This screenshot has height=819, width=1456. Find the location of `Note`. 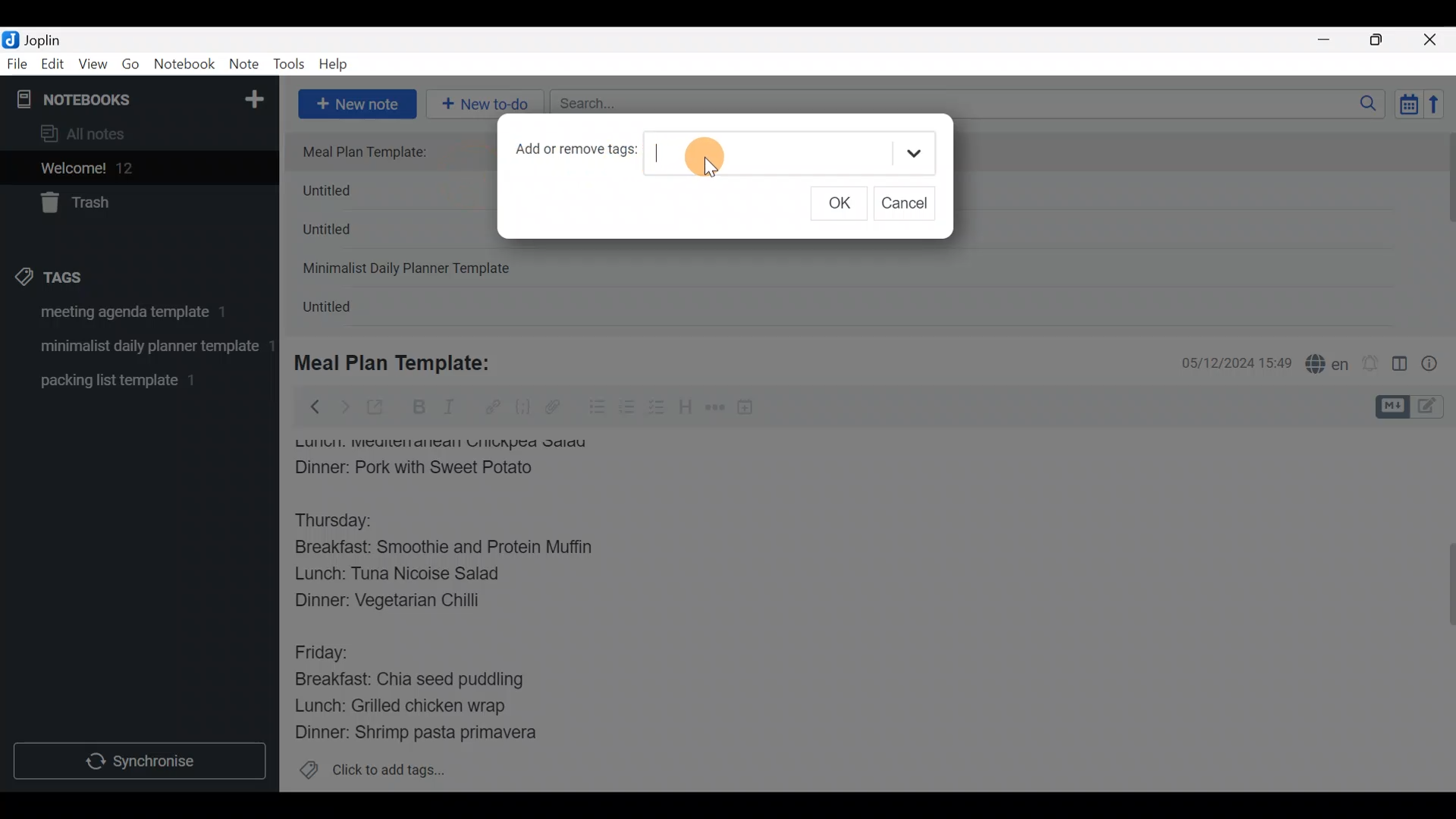

Note is located at coordinates (247, 65).